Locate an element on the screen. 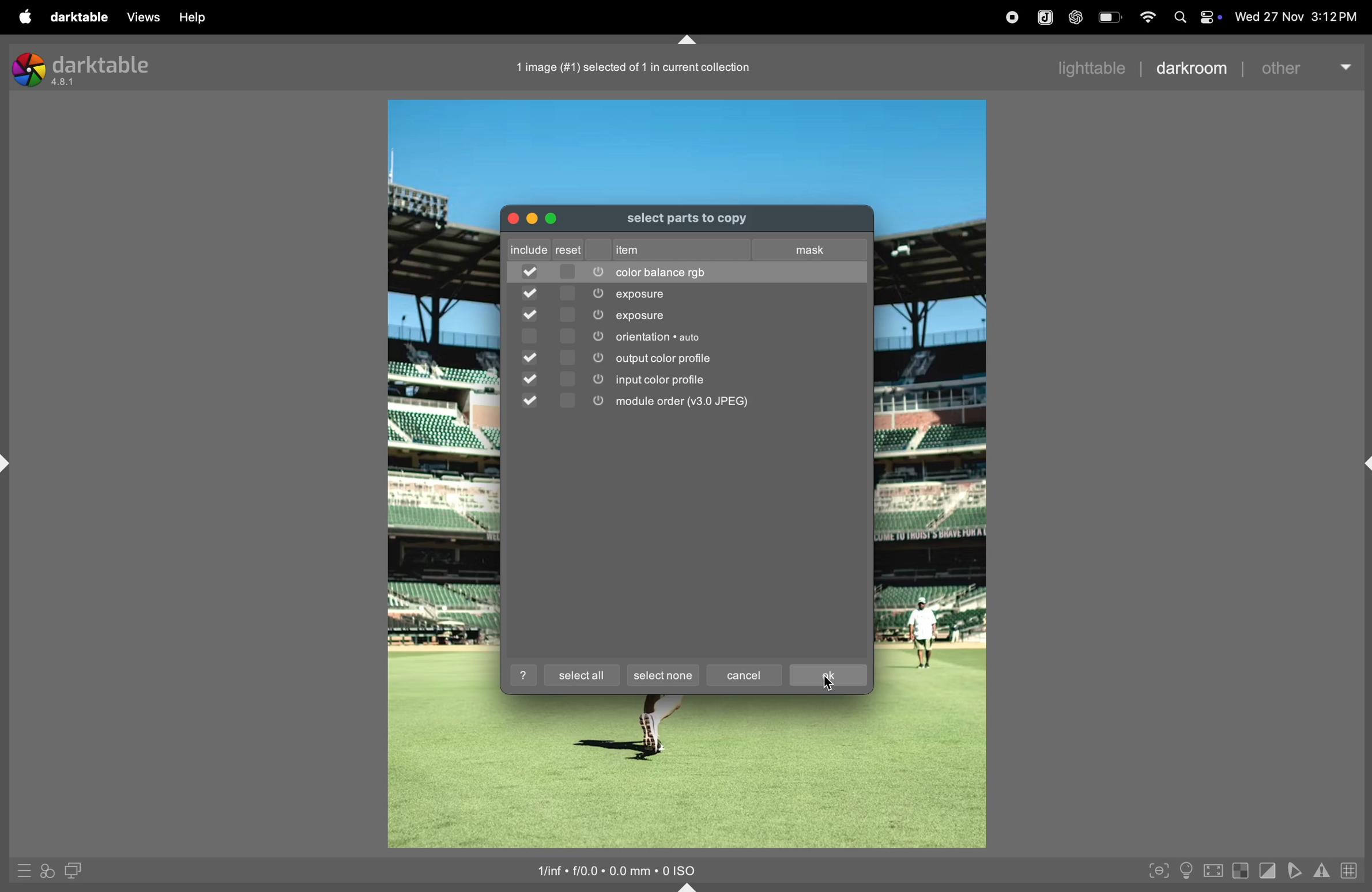 The height and width of the screenshot is (892, 1372). shift+ctrl+r is located at coordinates (1363, 463).